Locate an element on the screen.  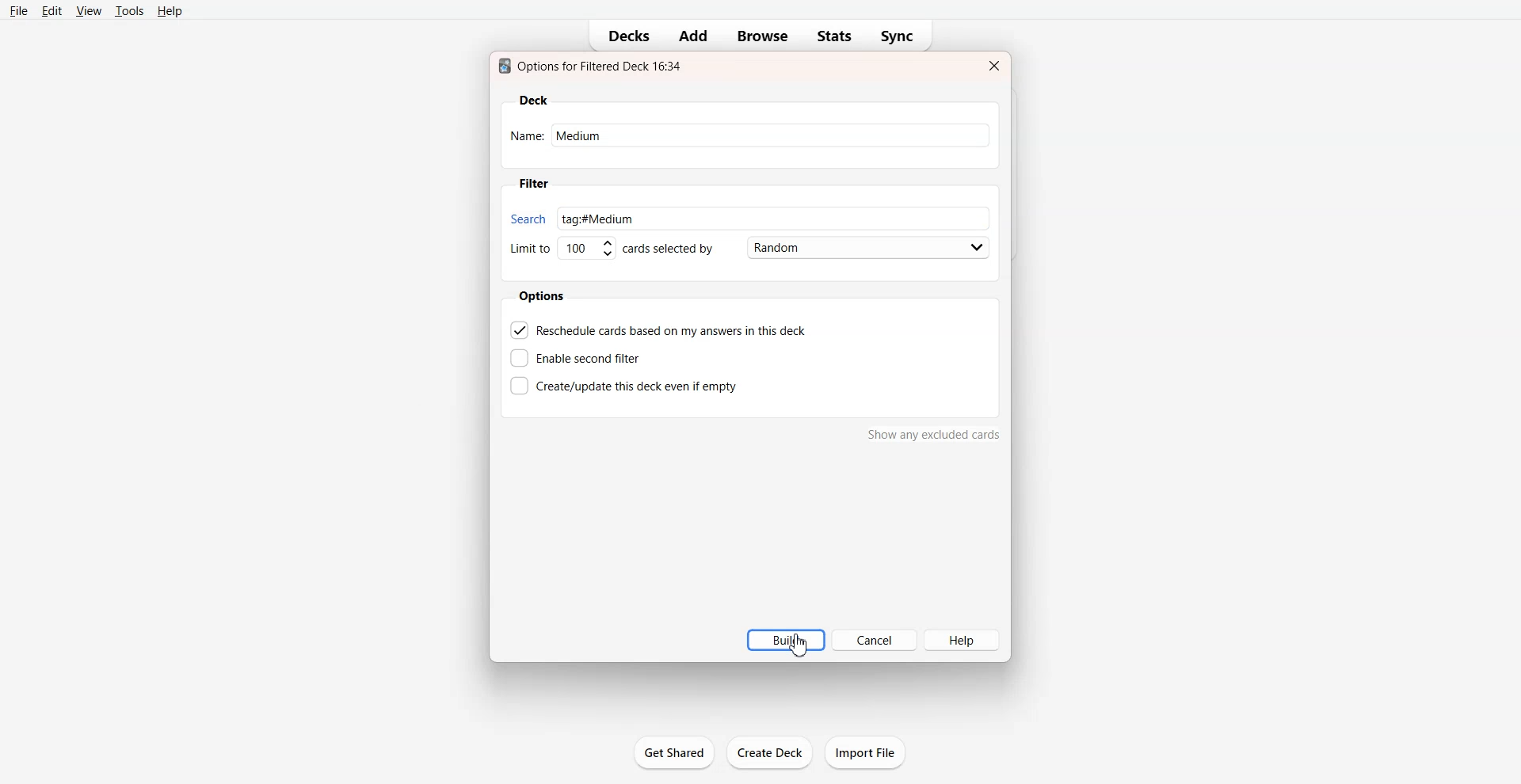
Stats is located at coordinates (834, 36).